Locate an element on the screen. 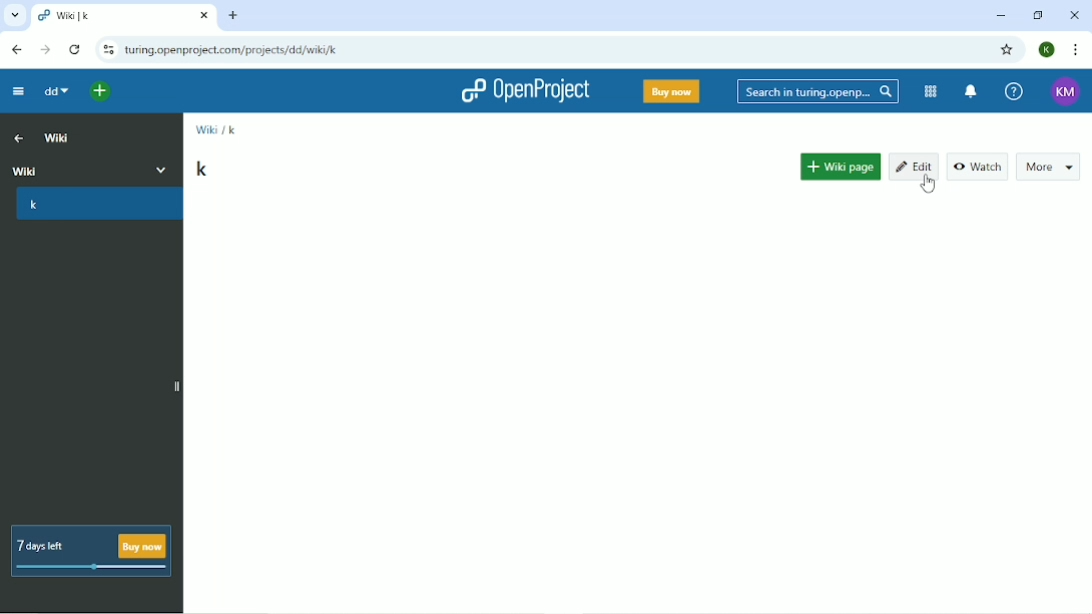  Buy now is located at coordinates (671, 91).